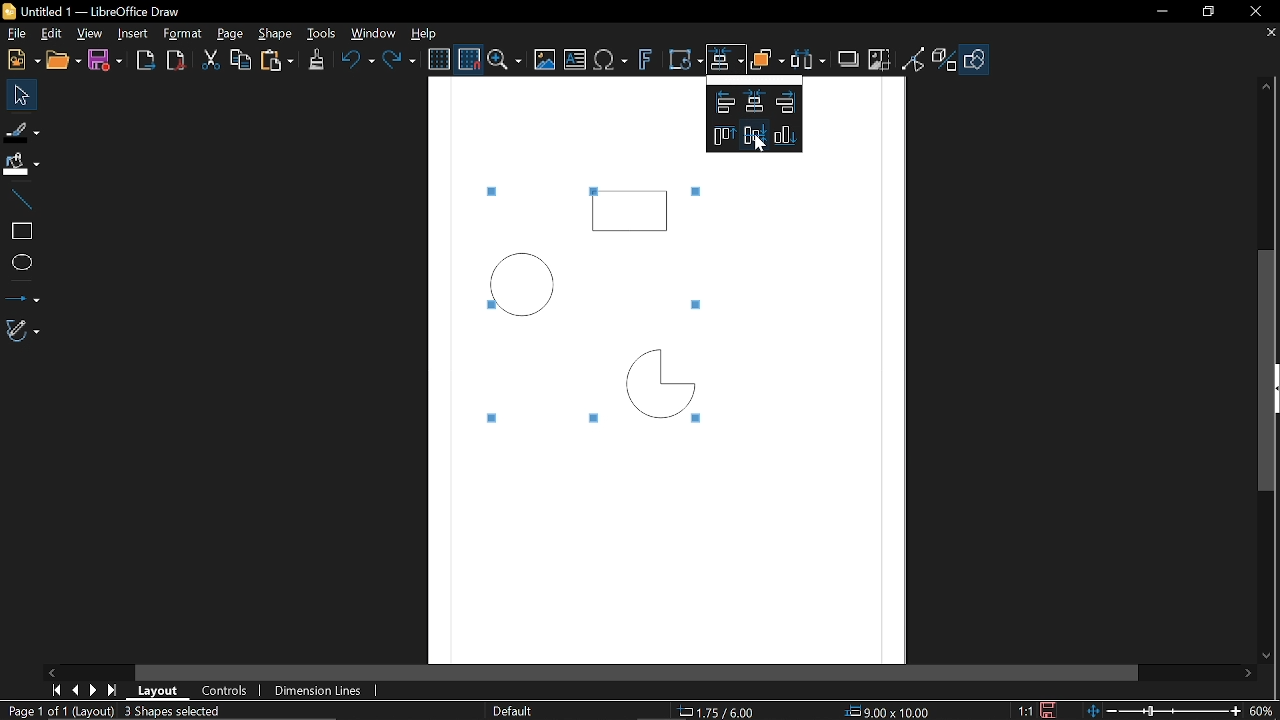  I want to click on Fill Line , so click(22, 131).